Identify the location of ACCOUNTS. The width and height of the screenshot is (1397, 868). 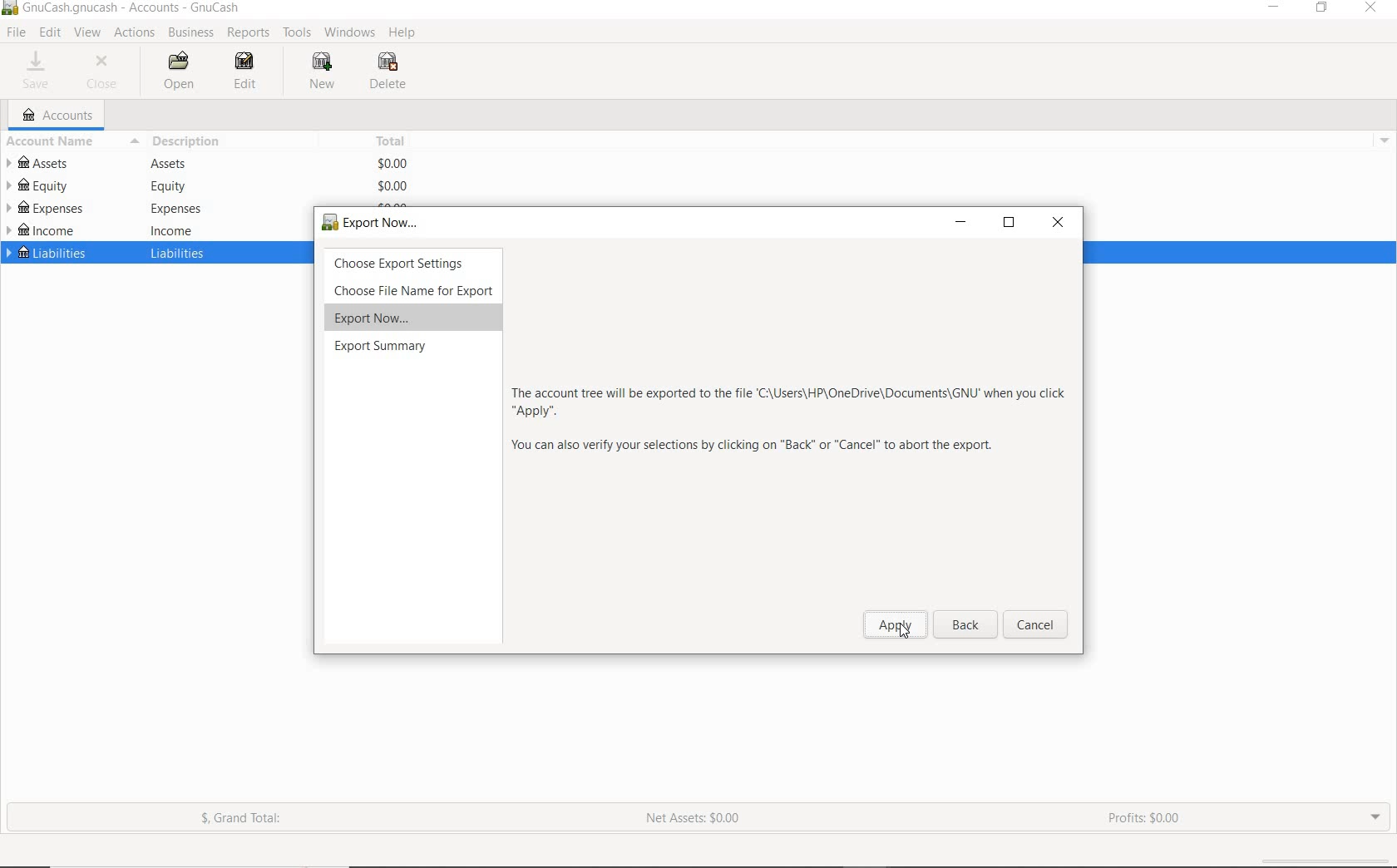
(55, 115).